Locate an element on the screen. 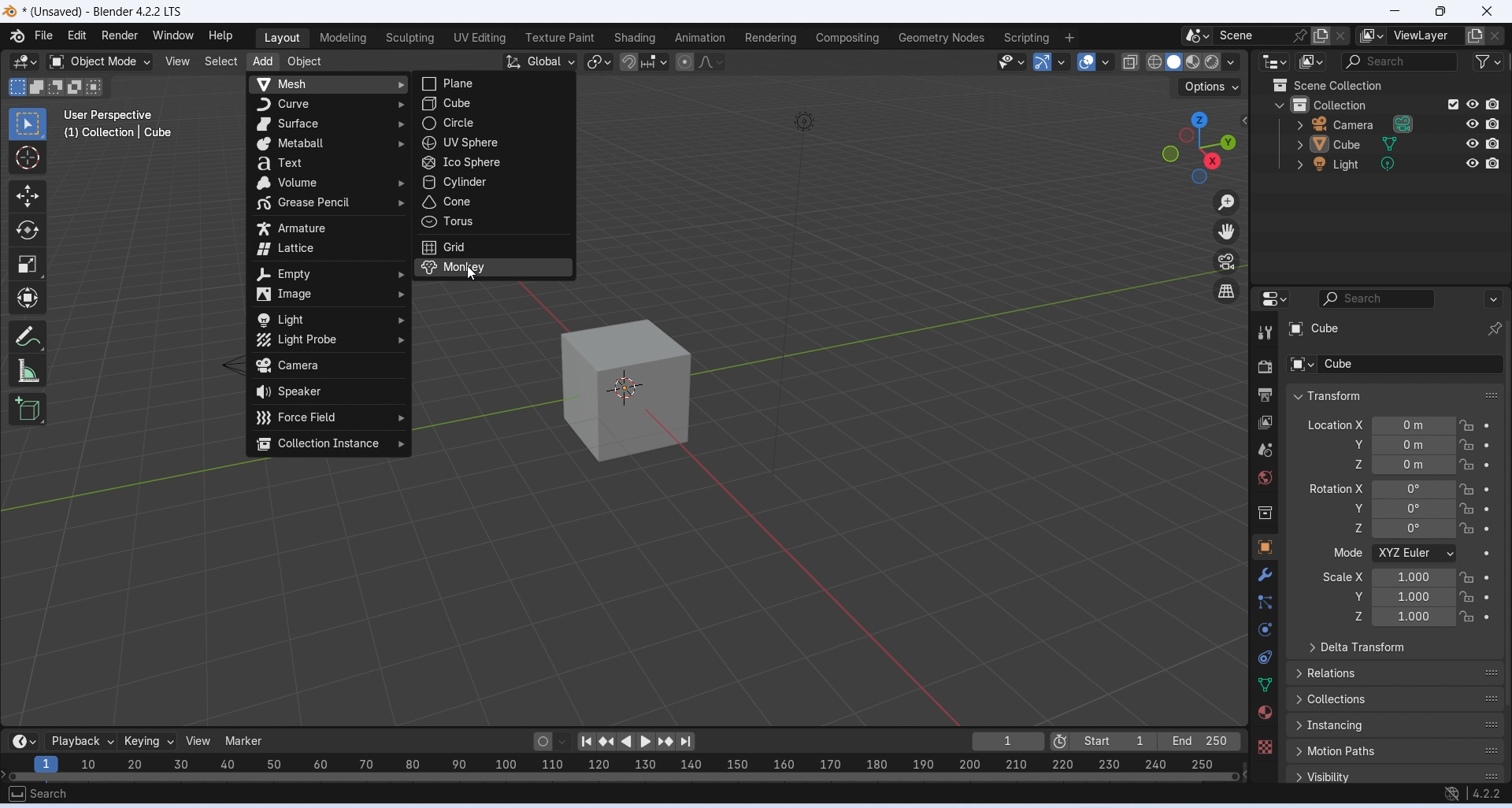 The image size is (1512, 808). remove view layer is located at coordinates (1496, 36).